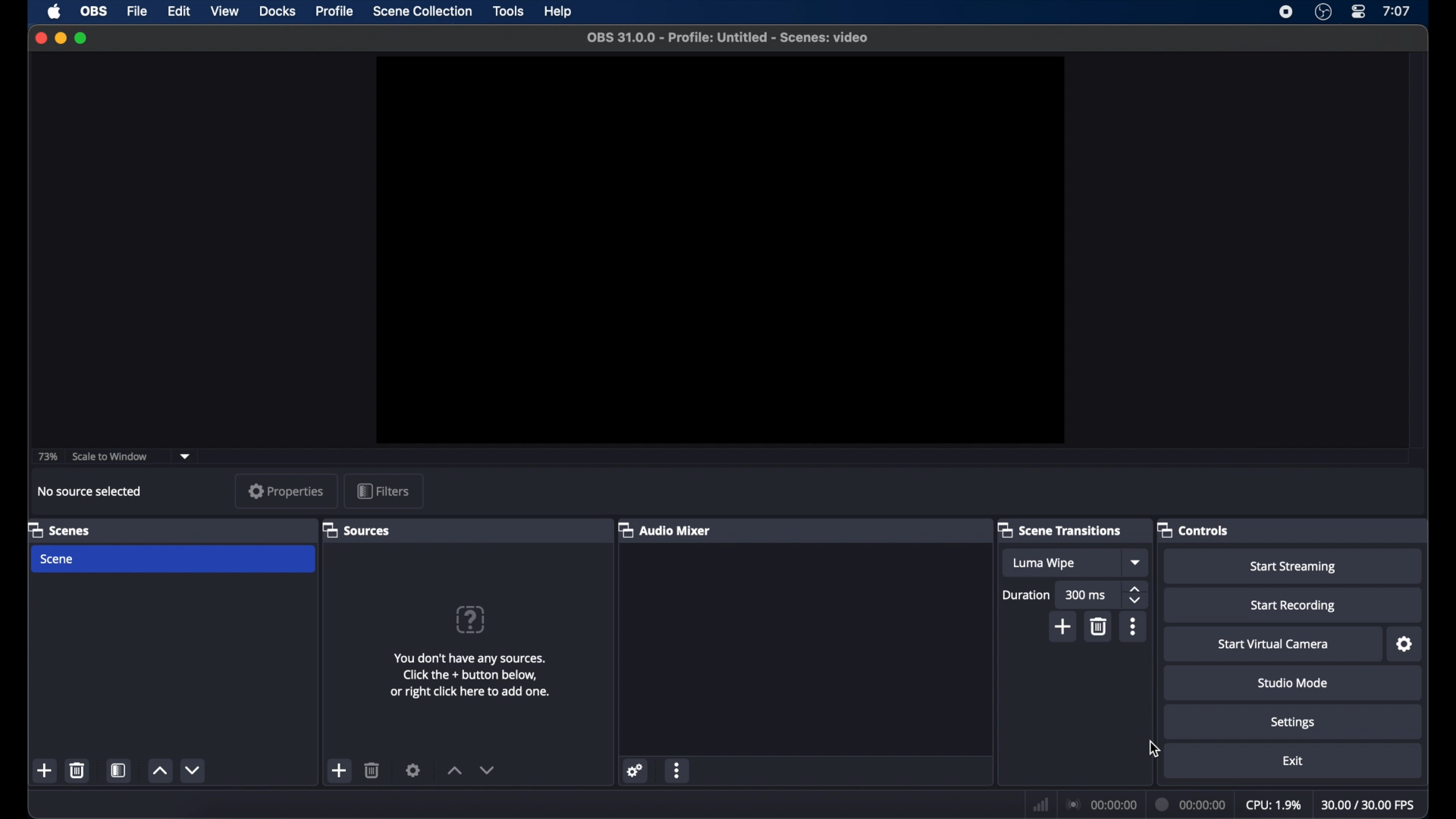 The height and width of the screenshot is (819, 1456). Describe the element at coordinates (1294, 567) in the screenshot. I see `start streaming` at that location.